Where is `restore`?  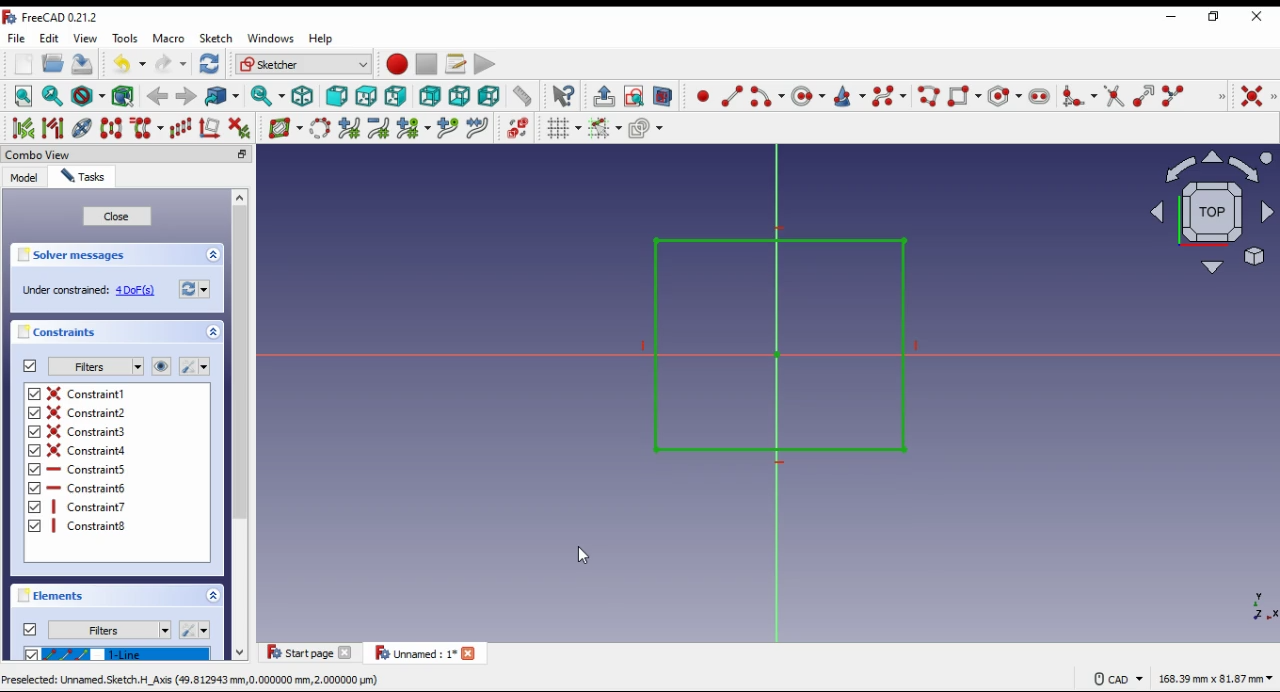
restore is located at coordinates (1217, 17).